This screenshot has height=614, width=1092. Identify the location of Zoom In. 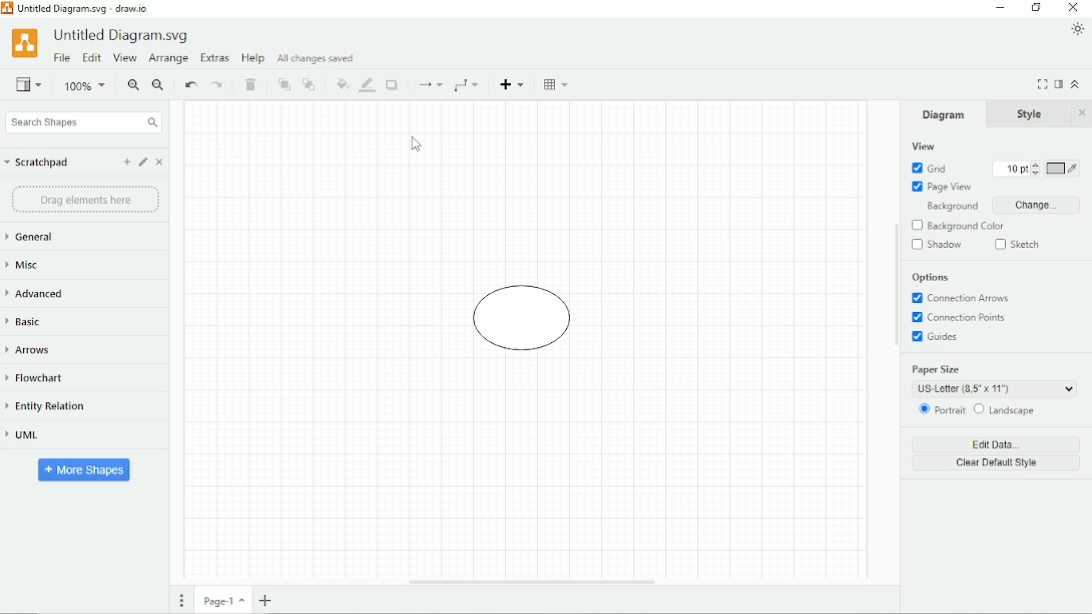
(134, 85).